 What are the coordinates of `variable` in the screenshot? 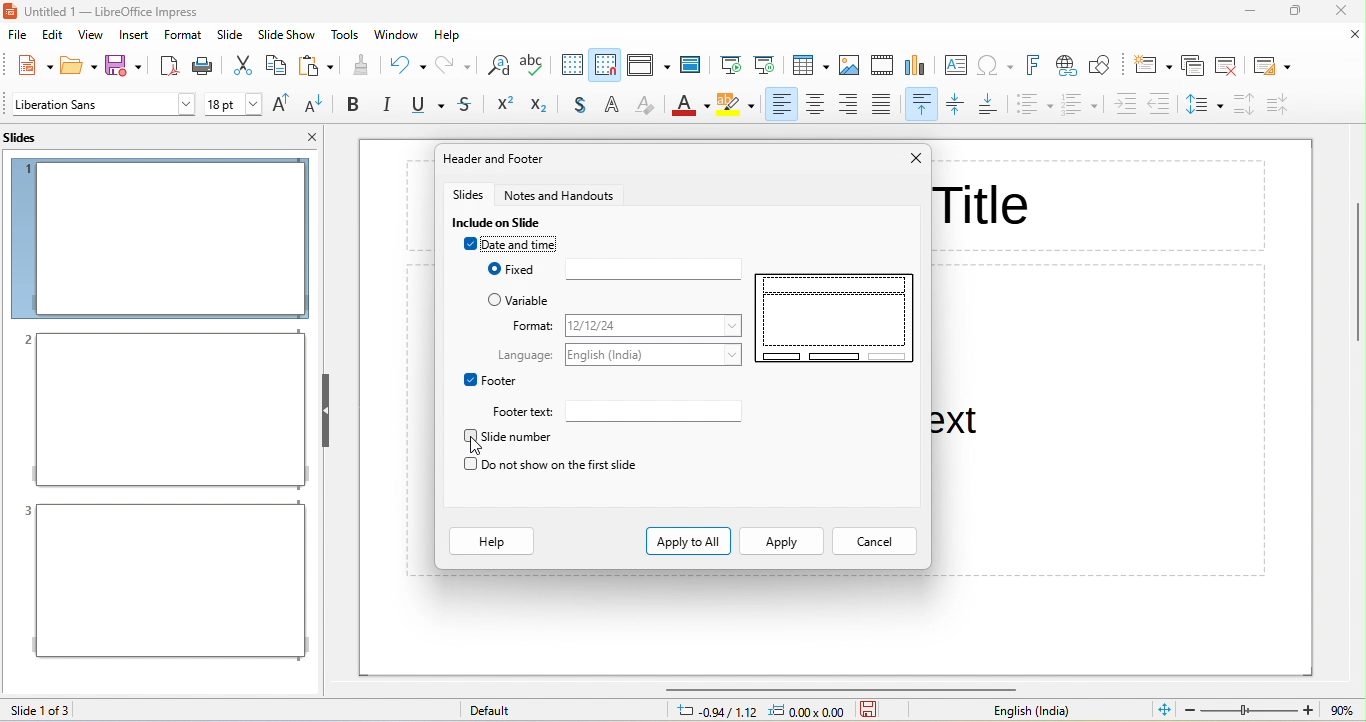 It's located at (536, 301).